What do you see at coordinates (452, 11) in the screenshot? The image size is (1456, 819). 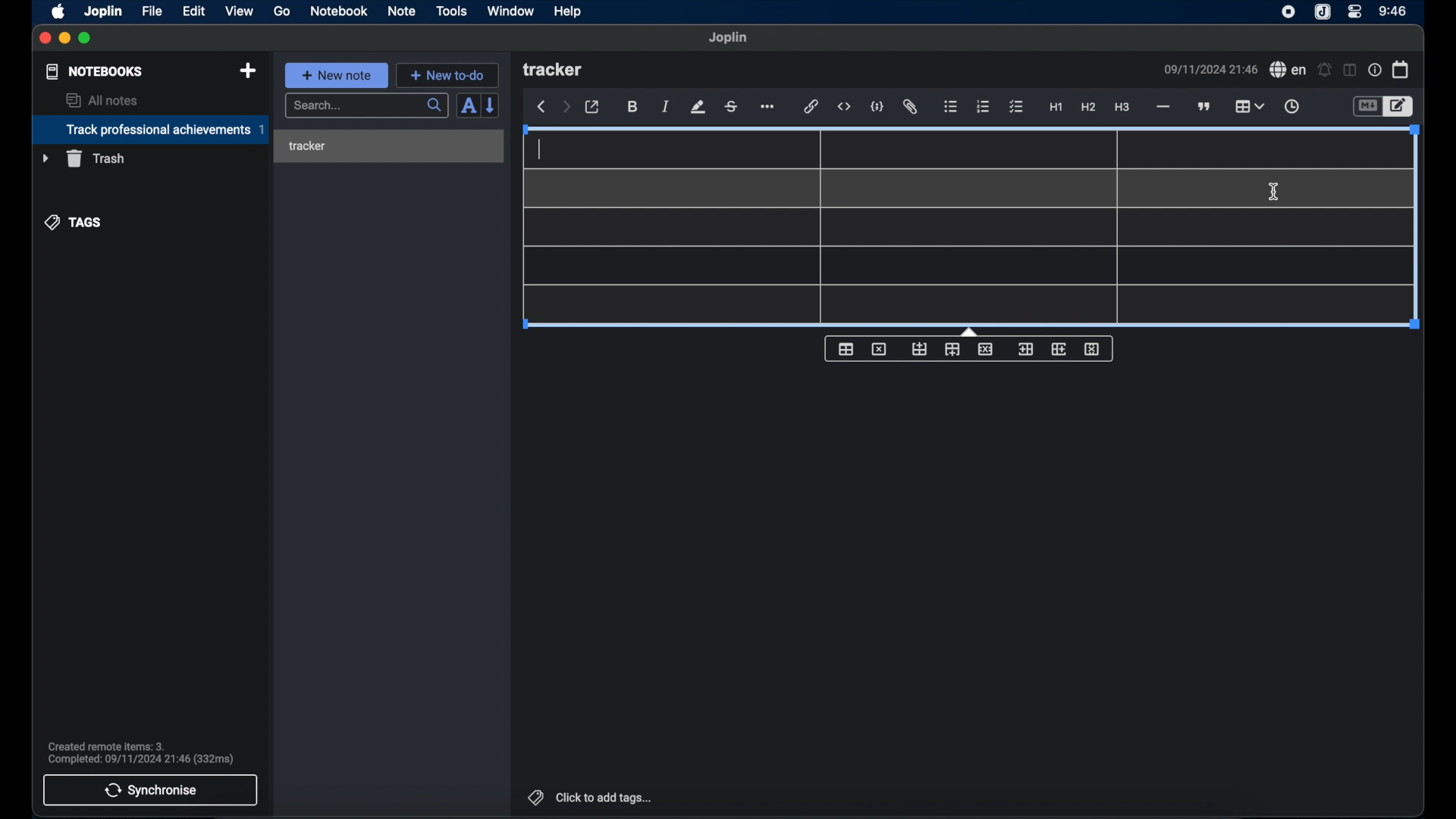 I see `tools` at bounding box center [452, 11].